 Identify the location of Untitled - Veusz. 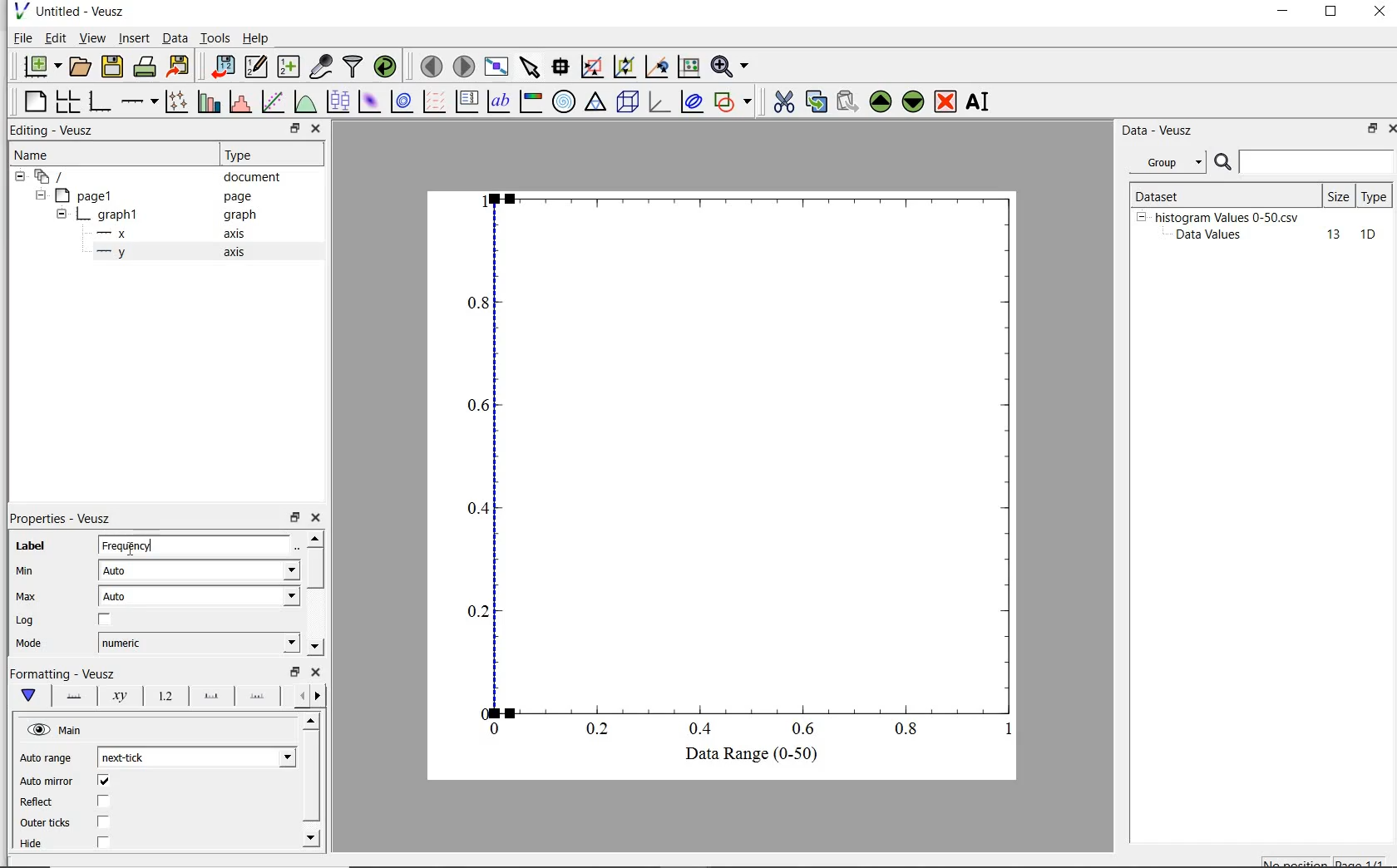
(84, 11).